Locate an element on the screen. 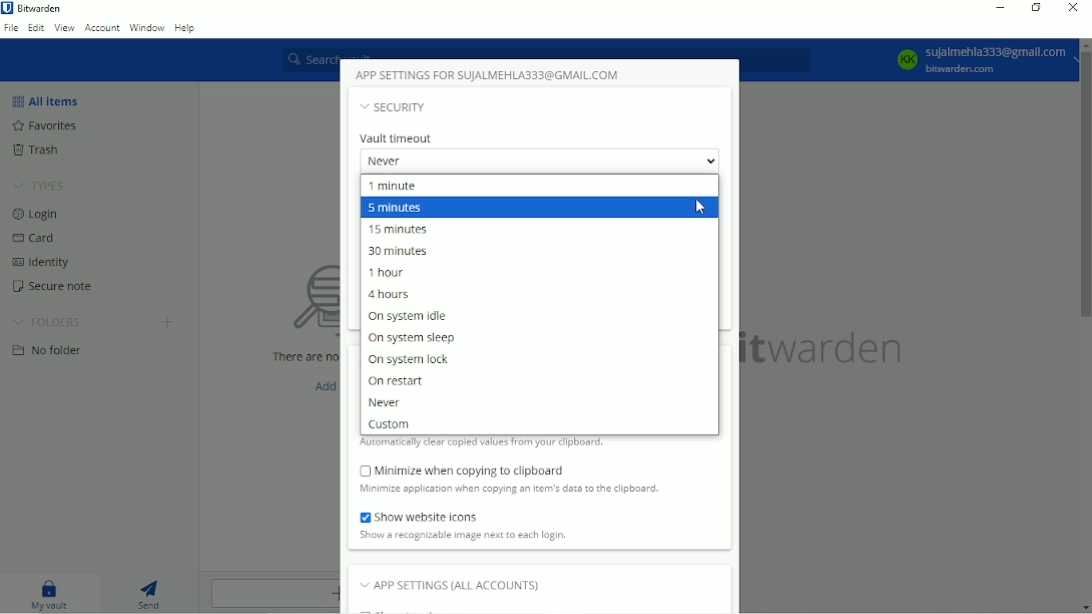  KK sujalmehla333@gmail.com     bitwarden.com is located at coordinates (980, 60).